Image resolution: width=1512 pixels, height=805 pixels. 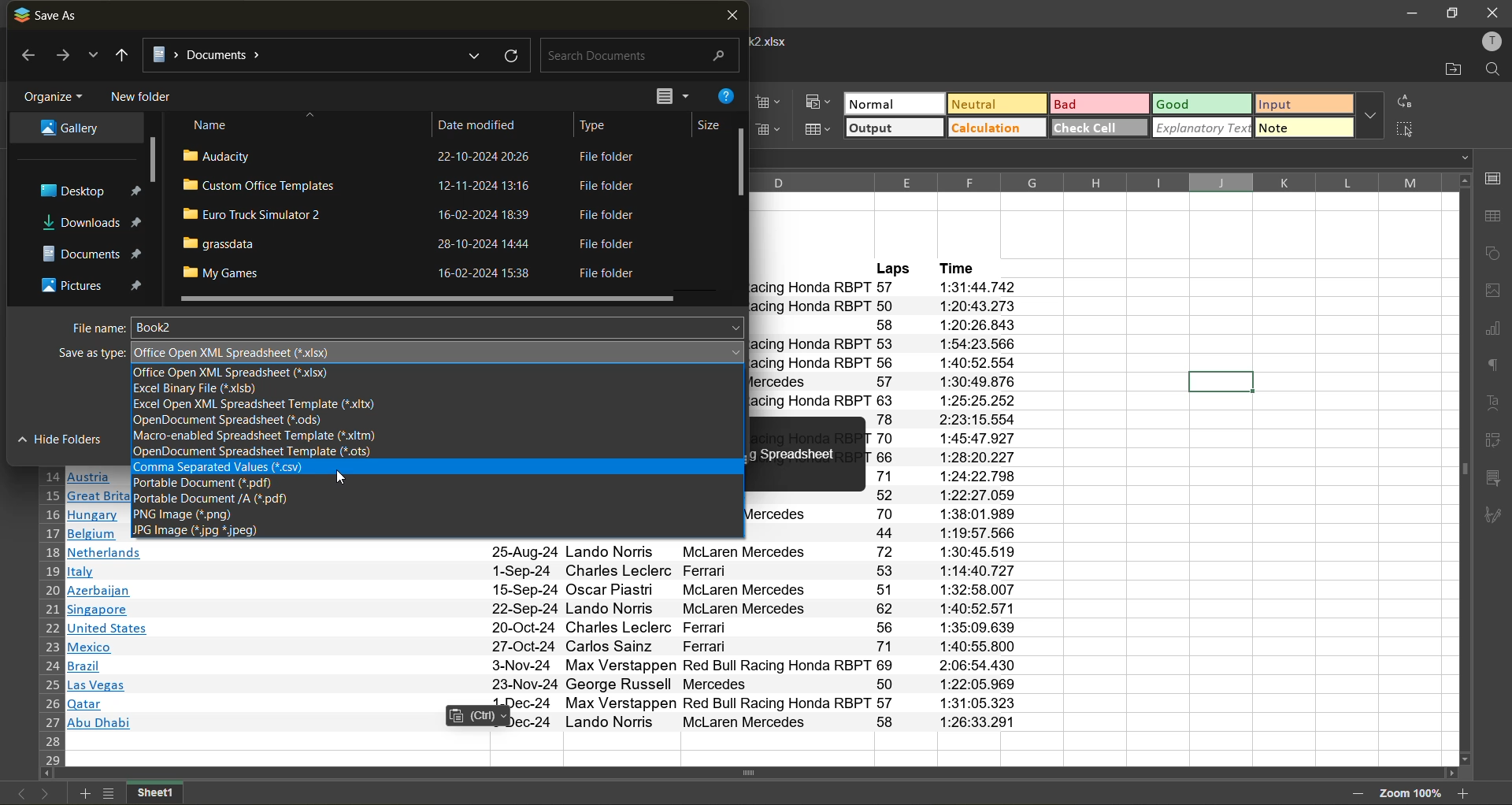 What do you see at coordinates (997, 129) in the screenshot?
I see `calculation` at bounding box center [997, 129].